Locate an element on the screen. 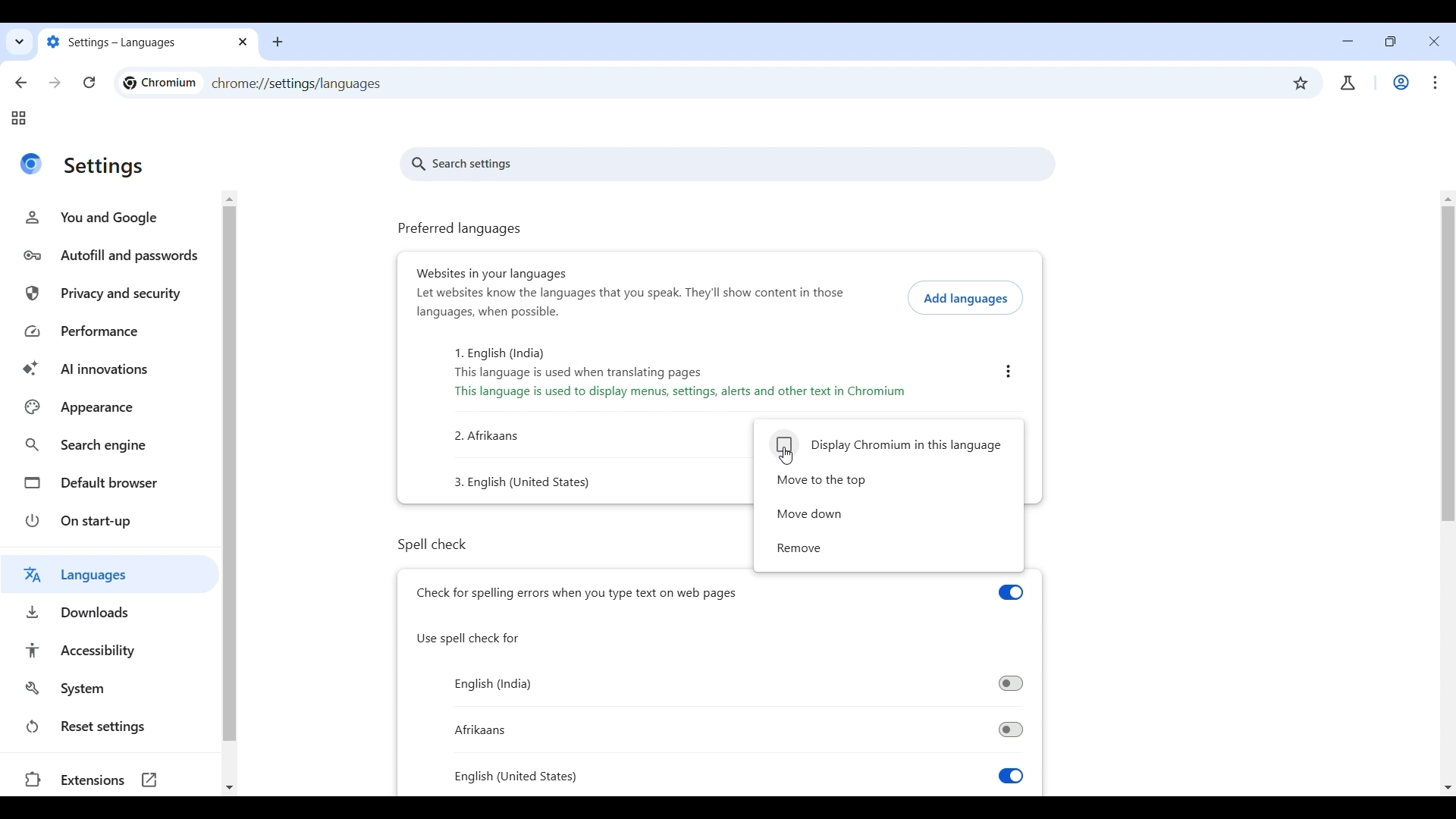  Downloads is located at coordinates (109, 612).